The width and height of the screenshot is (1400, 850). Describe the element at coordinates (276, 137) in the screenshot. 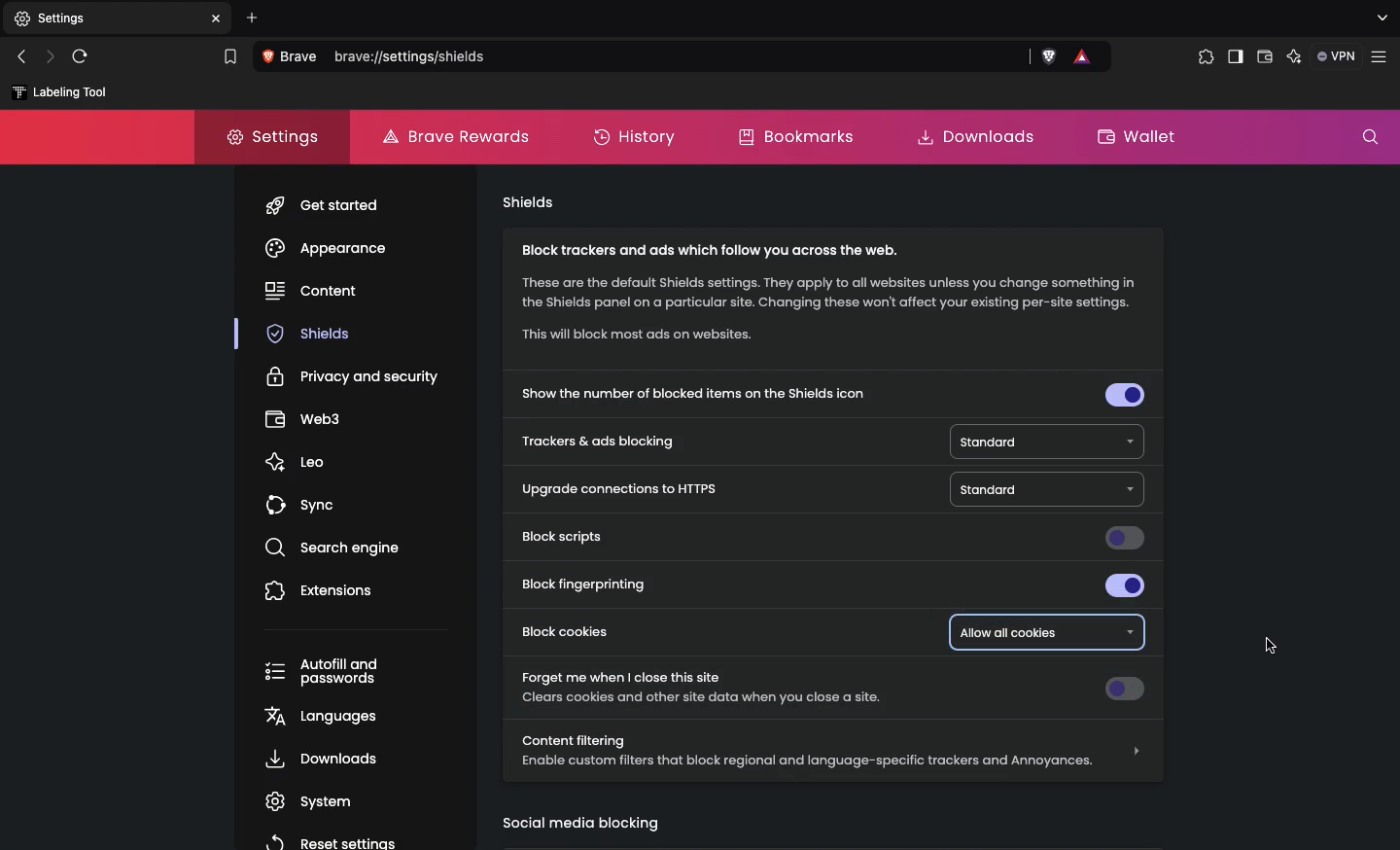

I see `Settings` at that location.